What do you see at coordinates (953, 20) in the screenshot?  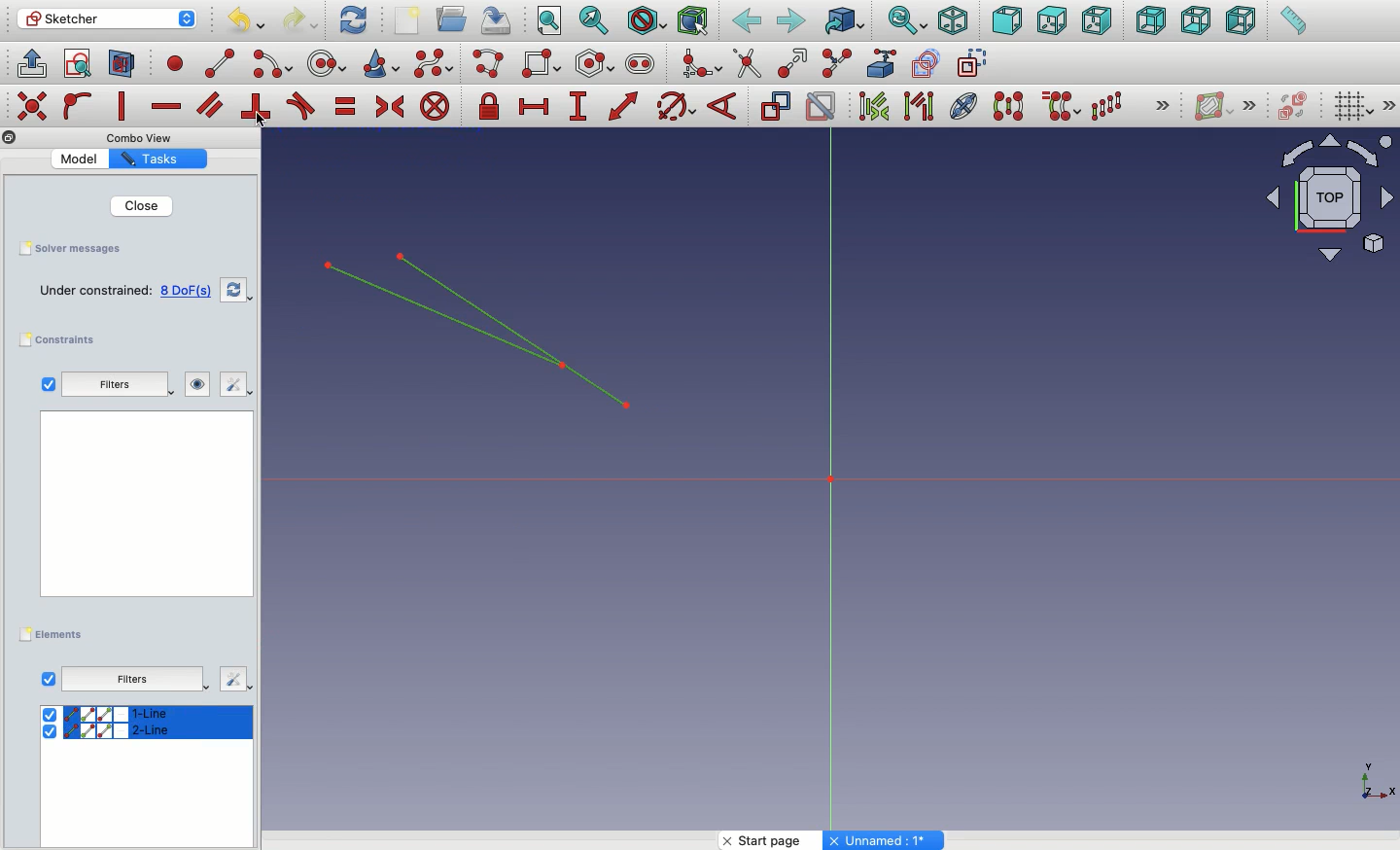 I see `Isometric` at bounding box center [953, 20].